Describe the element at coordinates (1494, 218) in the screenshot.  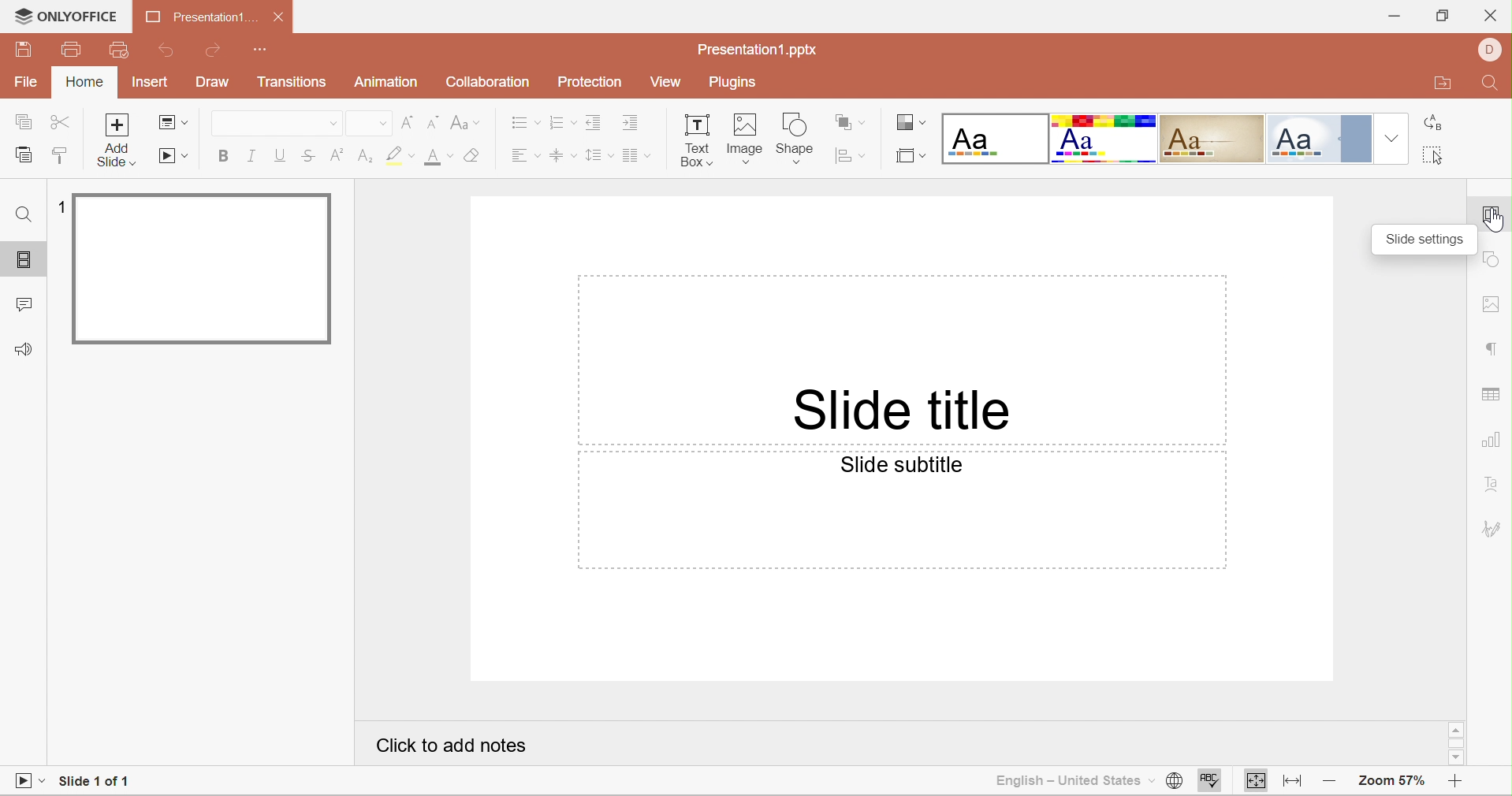
I see `slide settings` at that location.